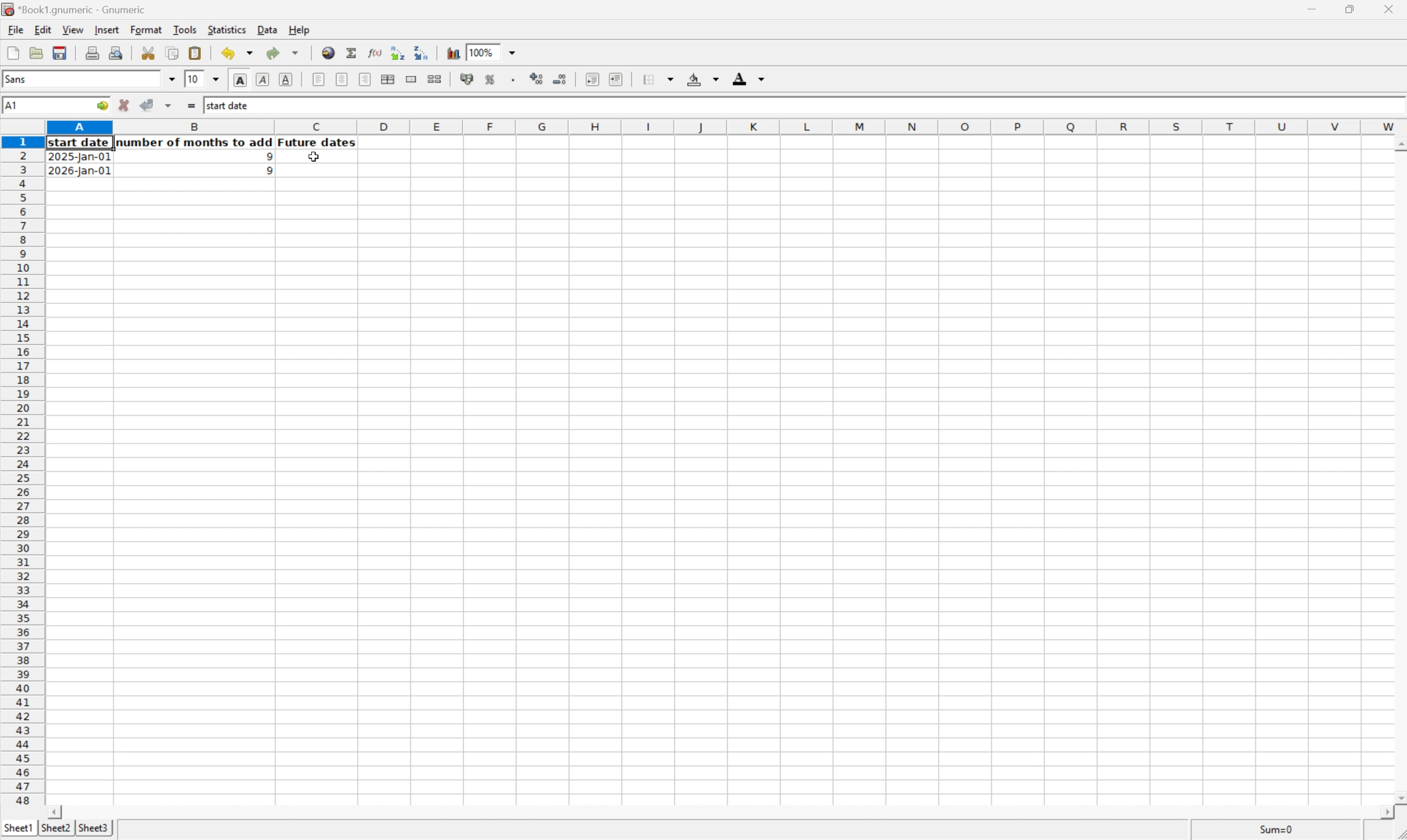 The image size is (1407, 840). Describe the element at coordinates (13, 103) in the screenshot. I see `A1` at that location.